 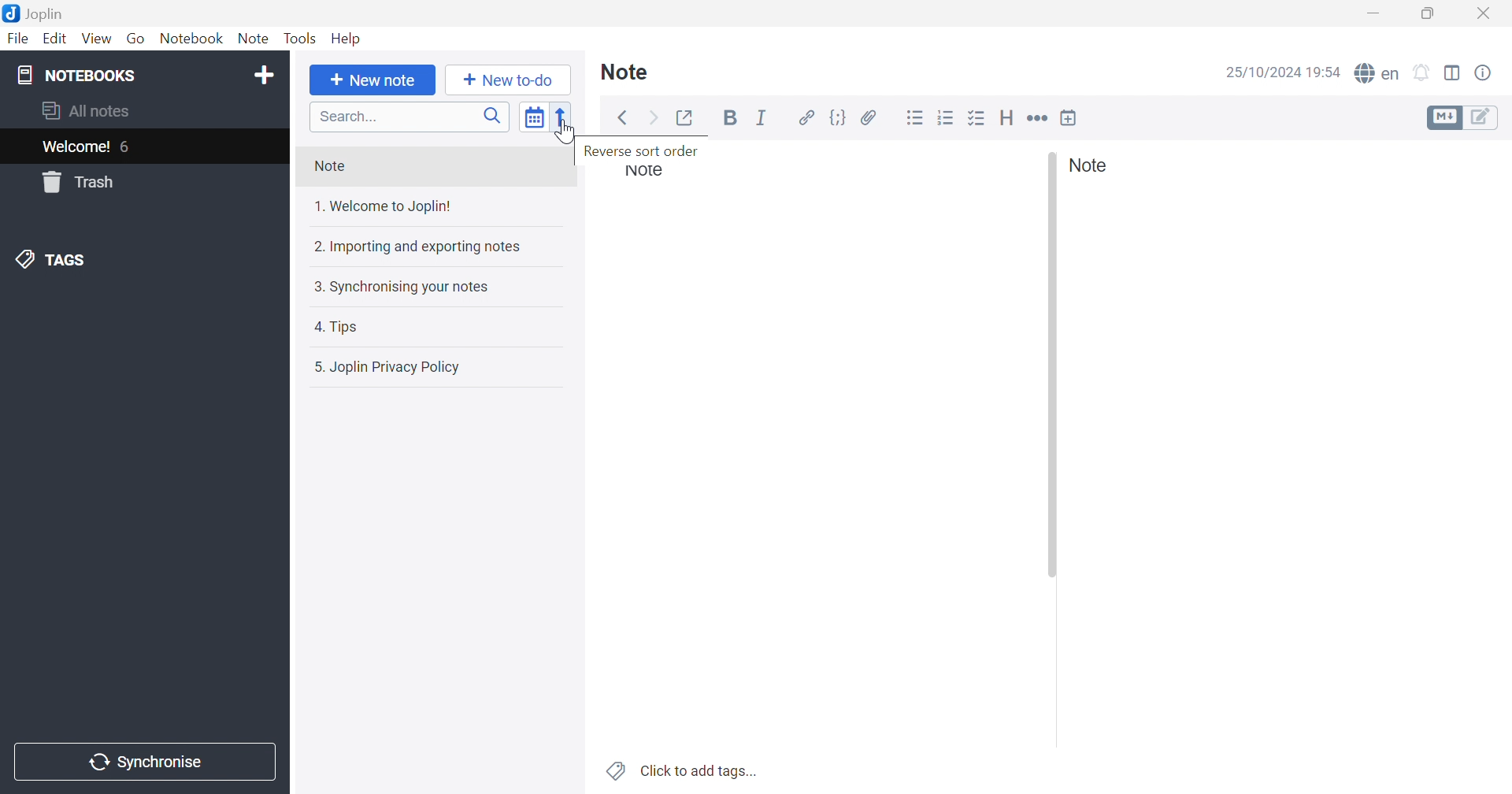 What do you see at coordinates (55, 39) in the screenshot?
I see `Edit` at bounding box center [55, 39].